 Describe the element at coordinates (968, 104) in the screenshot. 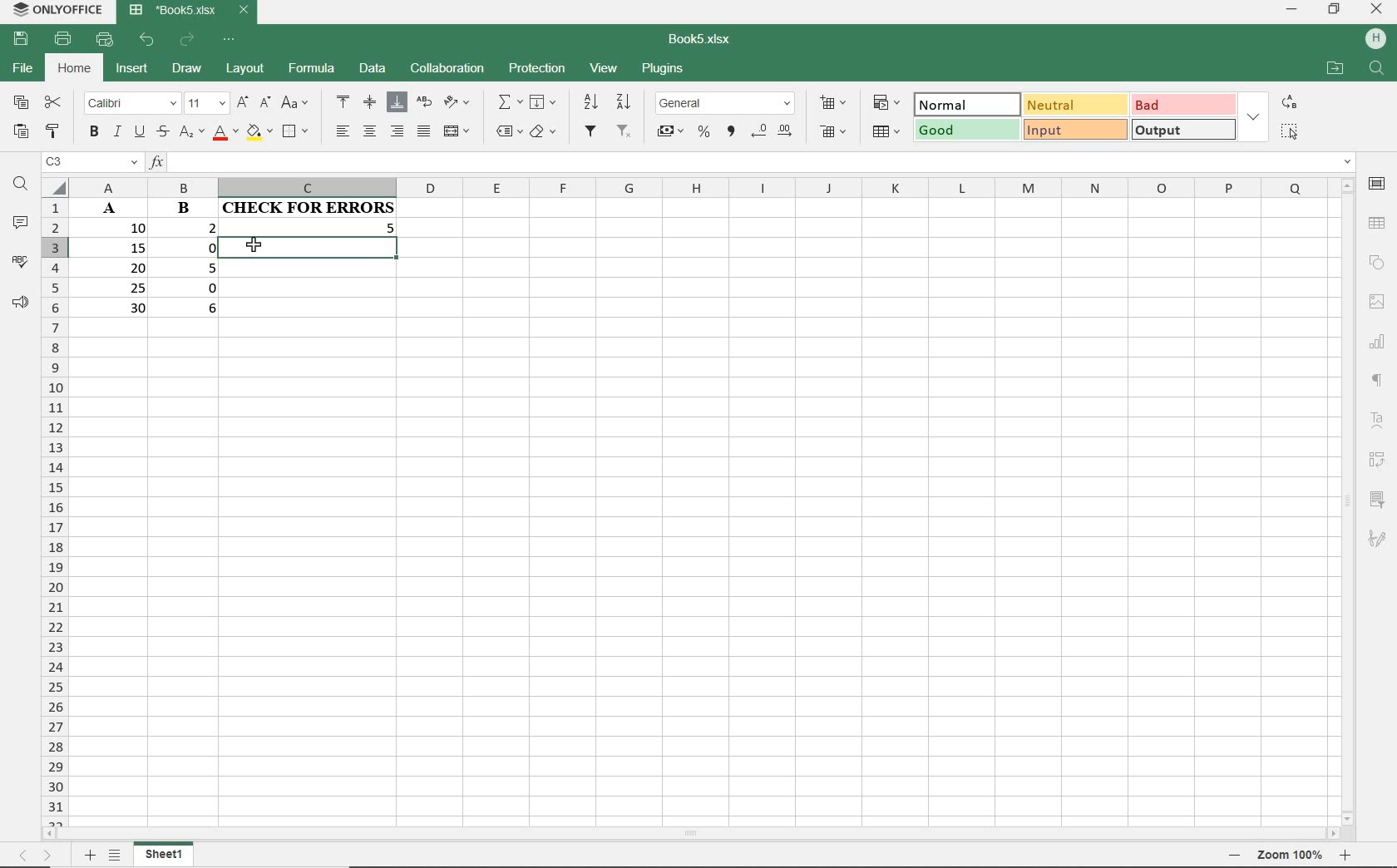

I see `NORMAL` at that location.